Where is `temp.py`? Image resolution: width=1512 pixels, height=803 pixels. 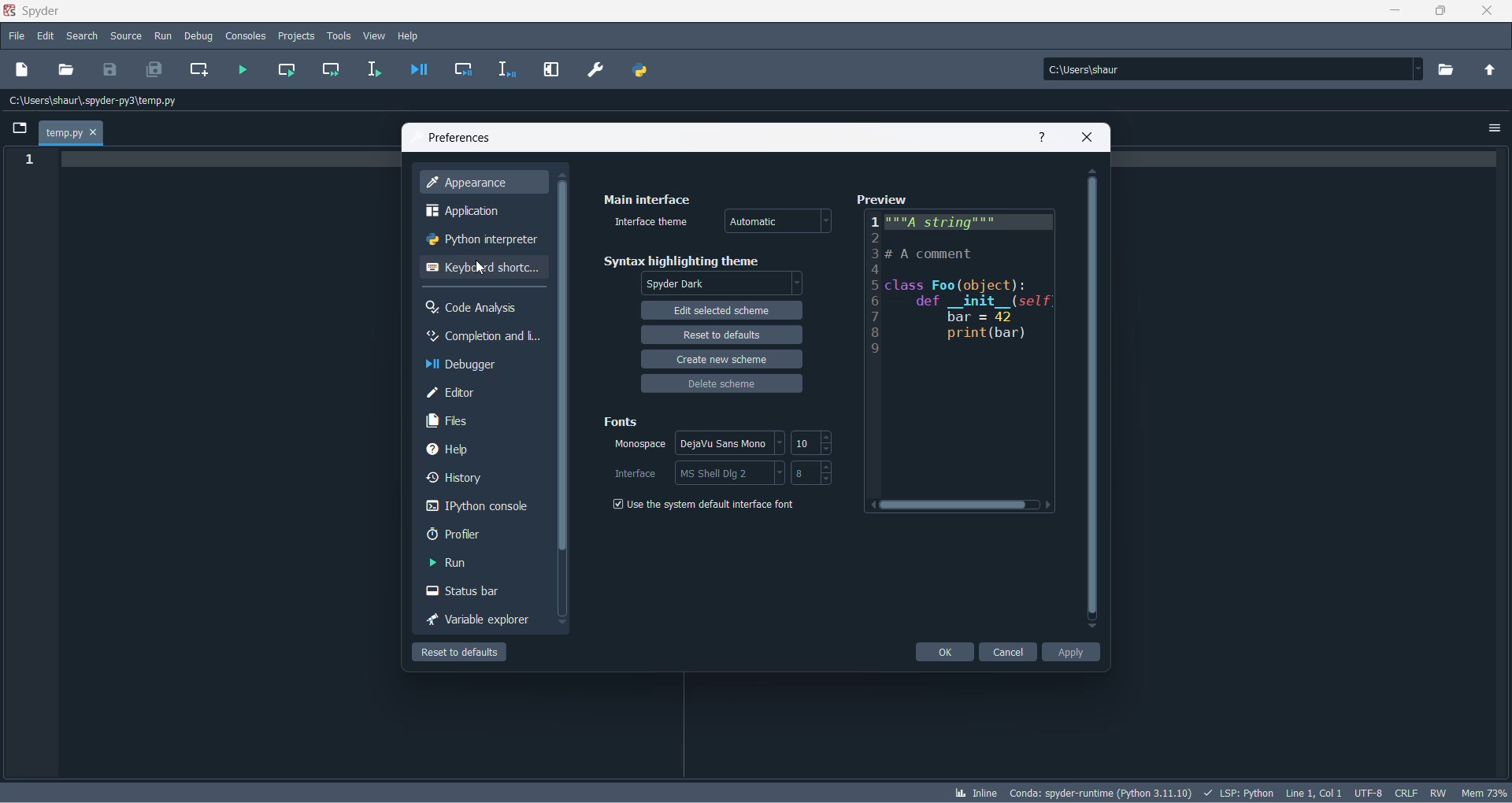
temp.py is located at coordinates (70, 133).